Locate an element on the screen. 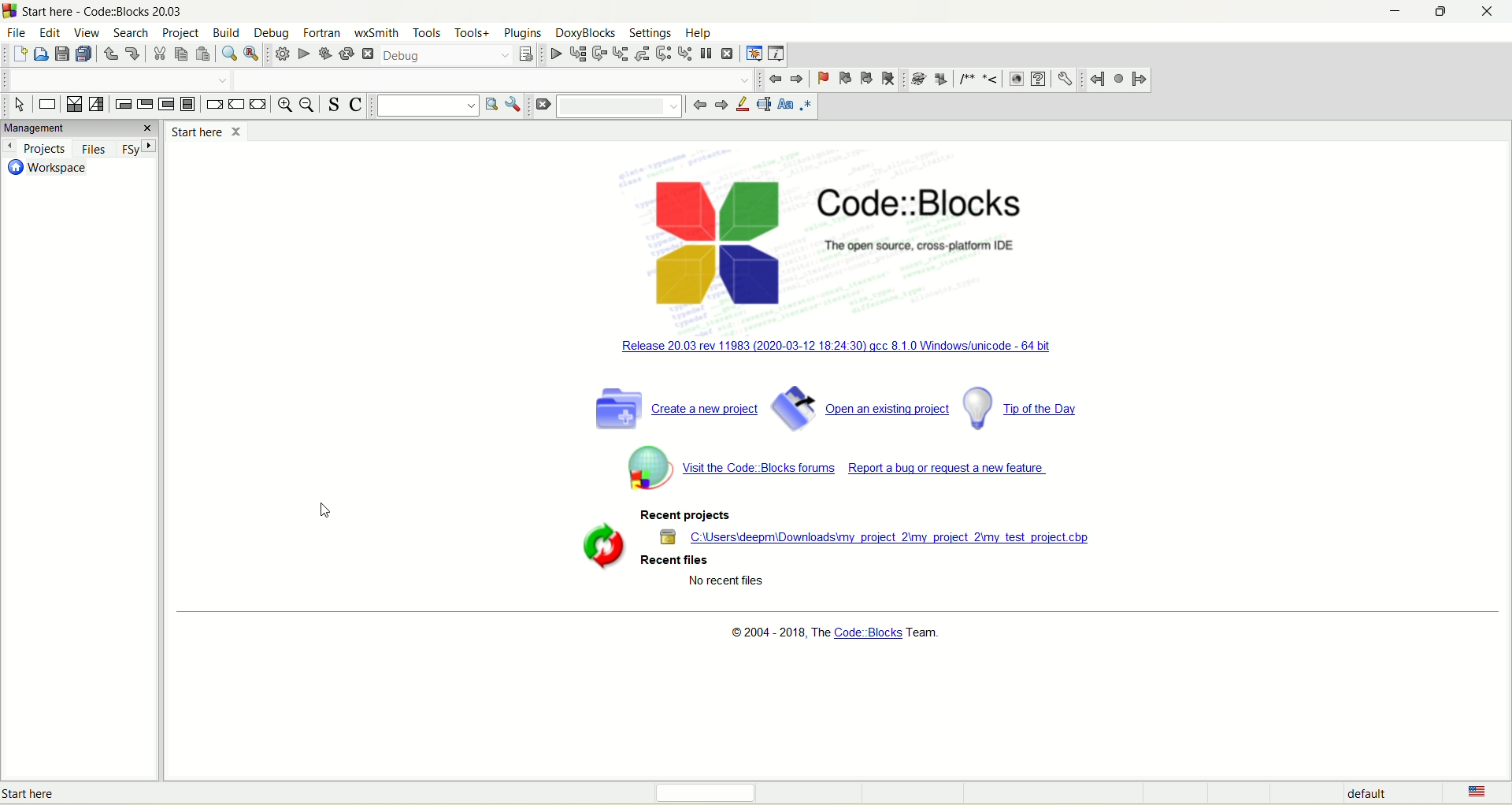 The height and width of the screenshot is (805, 1512). CHM is located at coordinates (1037, 80).